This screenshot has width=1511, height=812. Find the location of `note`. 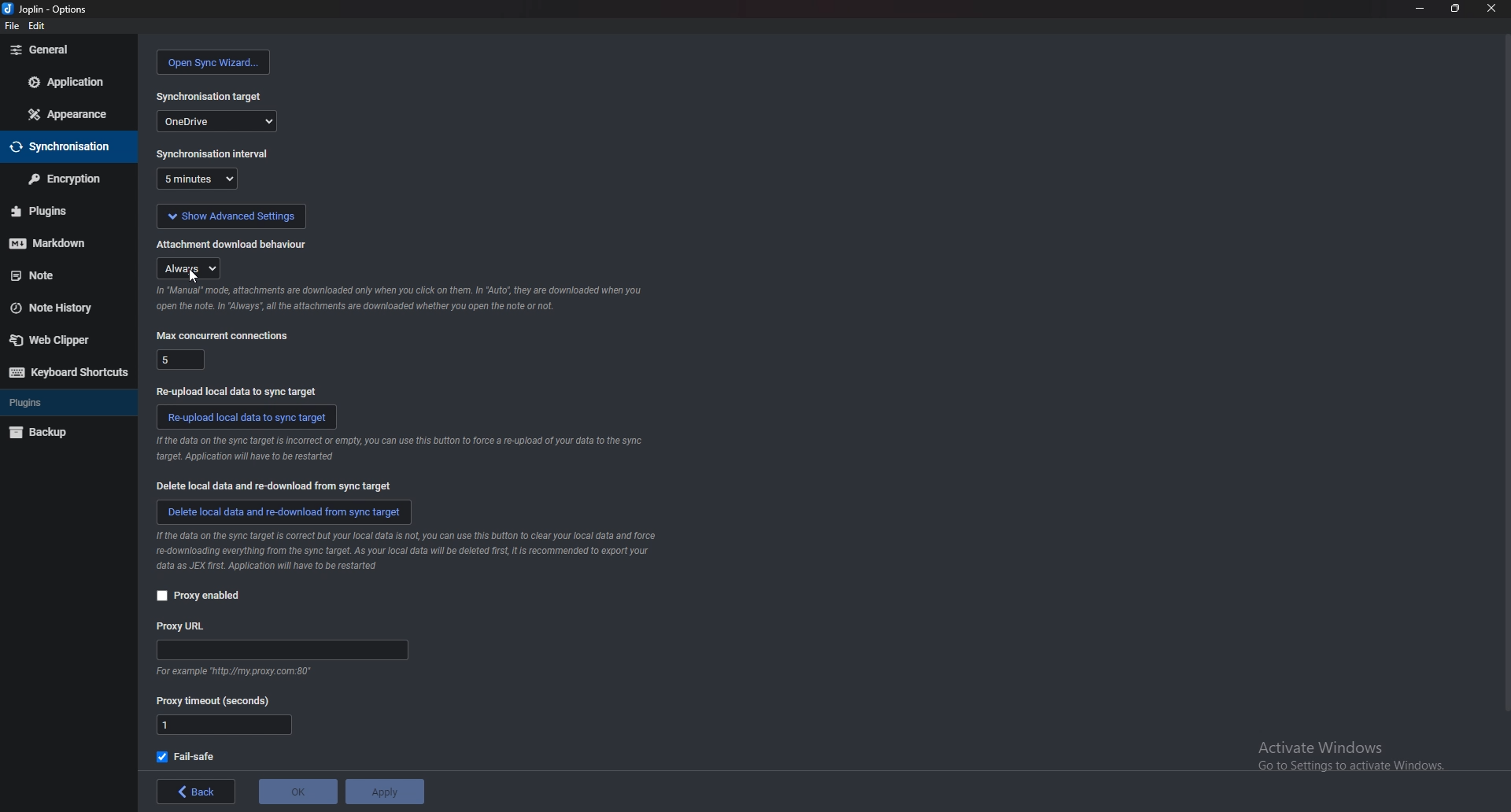

note is located at coordinates (61, 274).